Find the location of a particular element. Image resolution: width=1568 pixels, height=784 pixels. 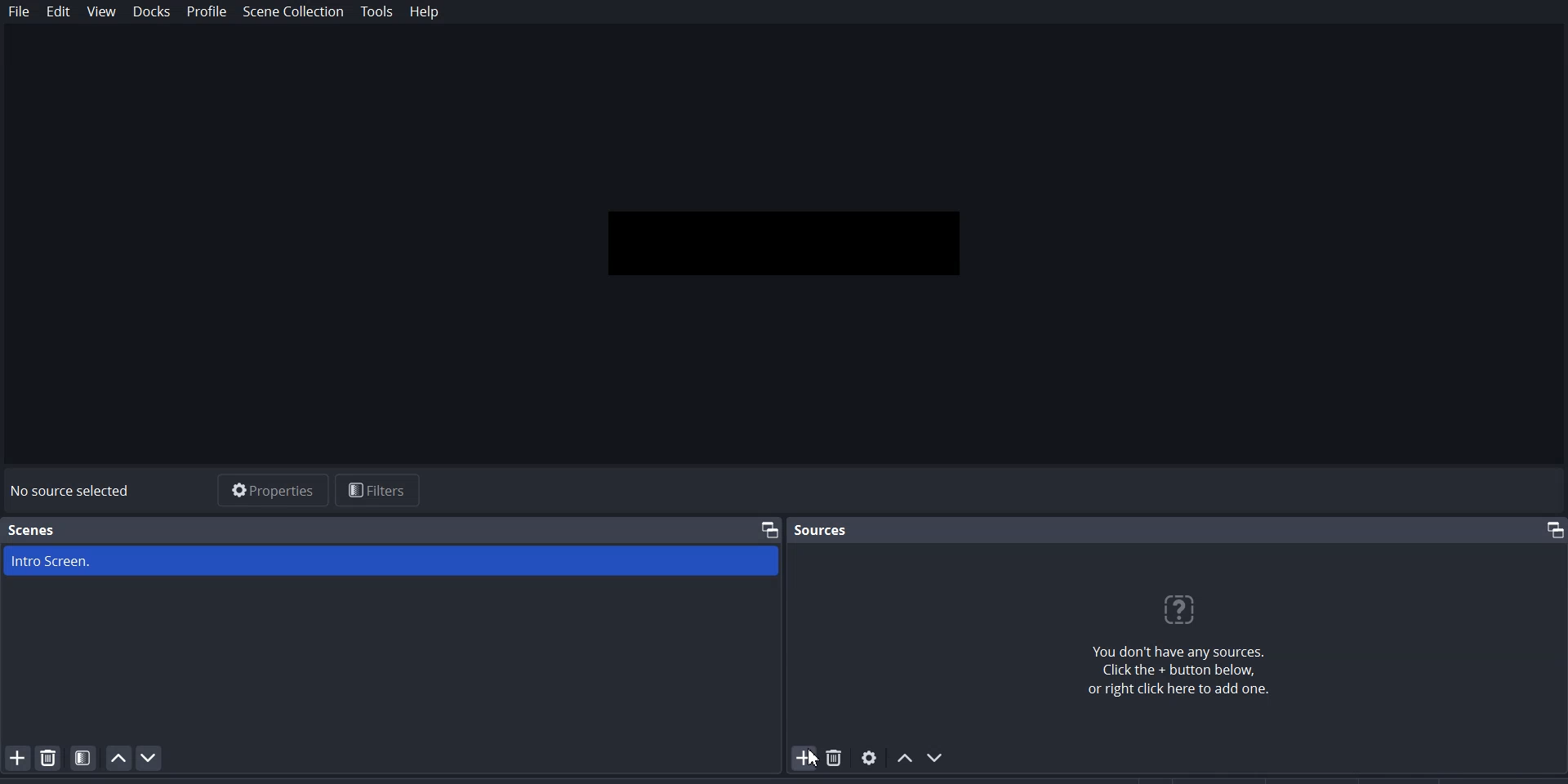

Add Source is located at coordinates (804, 758).